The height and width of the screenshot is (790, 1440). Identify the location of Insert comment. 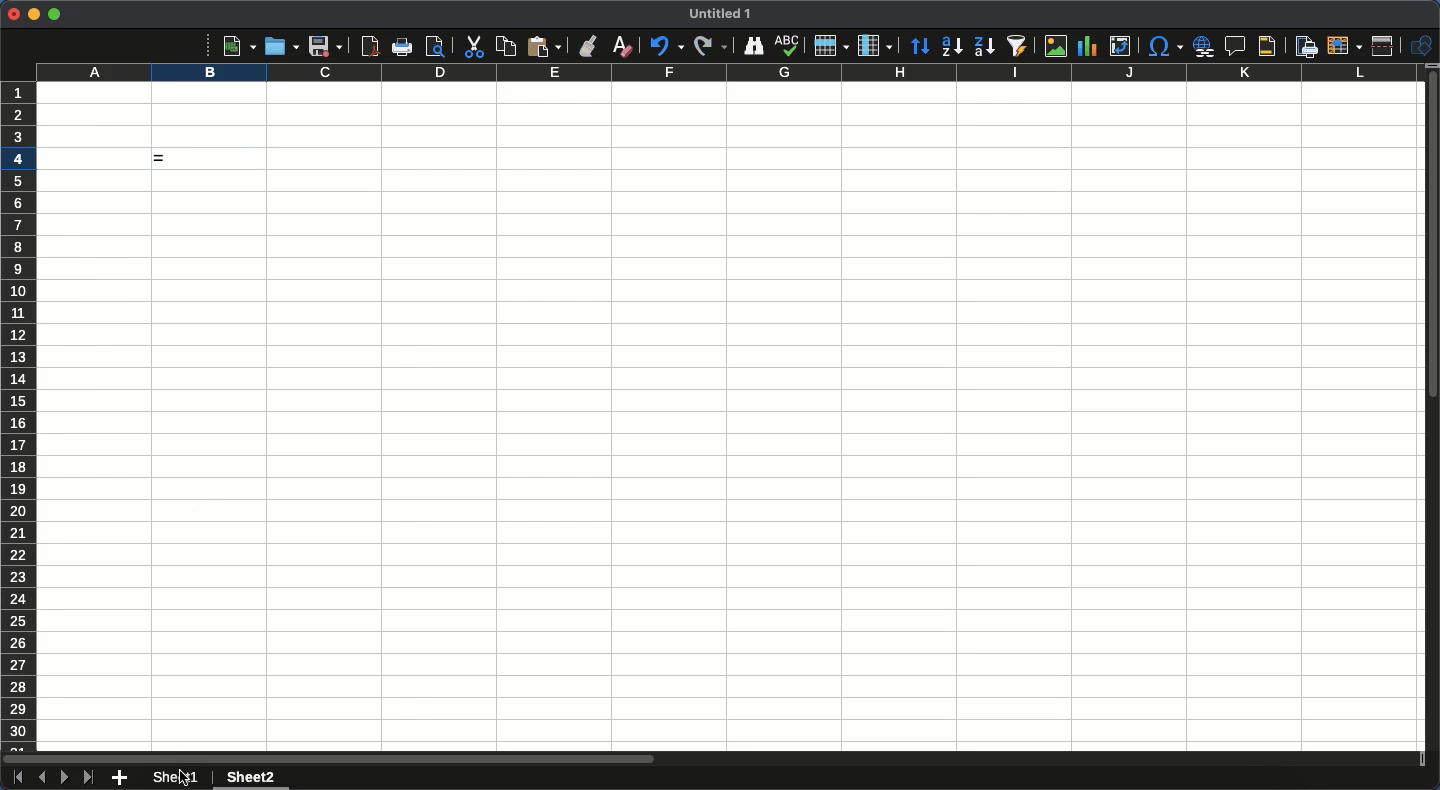
(1238, 47).